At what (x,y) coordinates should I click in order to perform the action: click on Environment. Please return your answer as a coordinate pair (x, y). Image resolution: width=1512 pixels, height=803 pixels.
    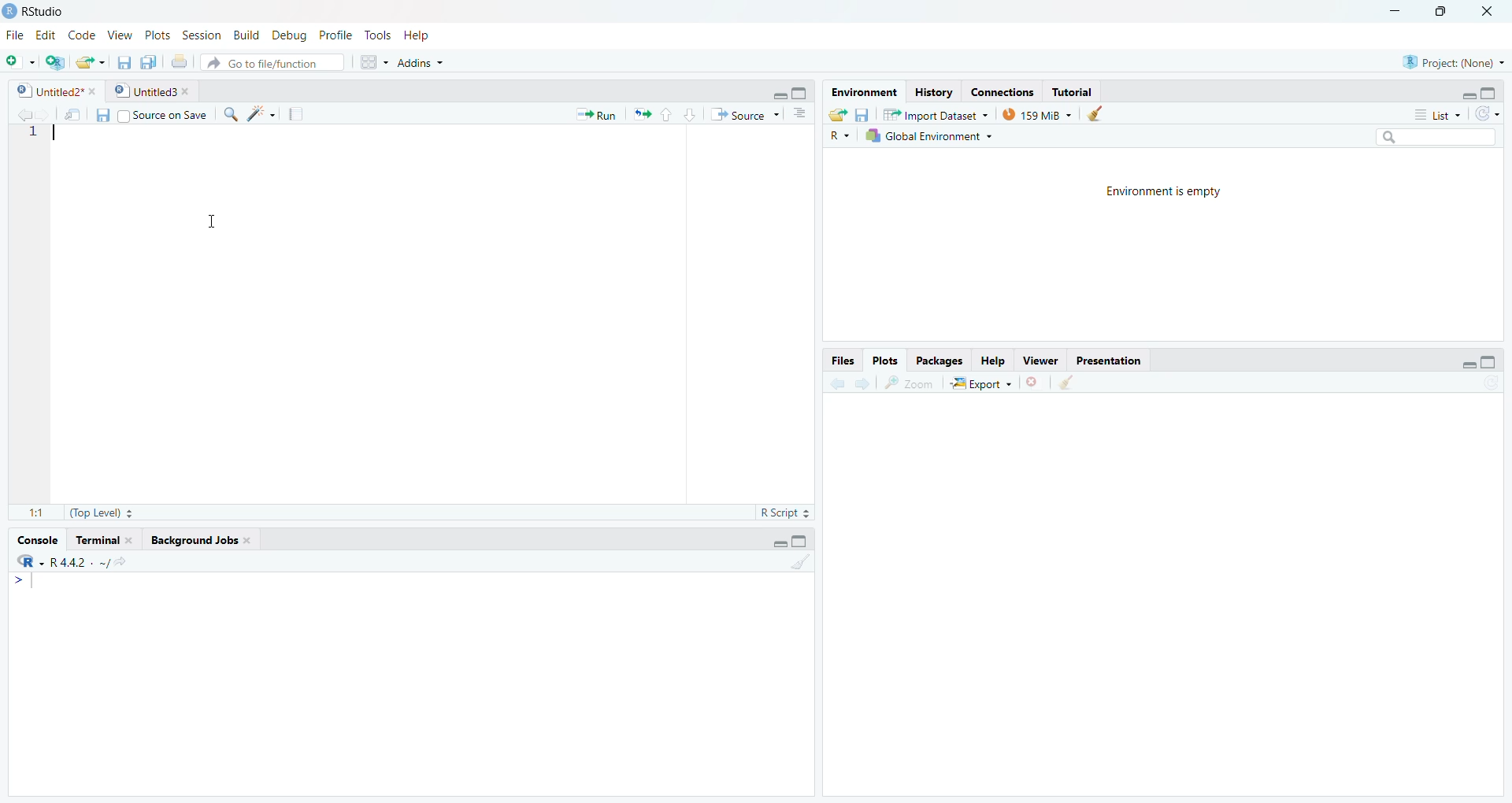
    Looking at the image, I should click on (866, 93).